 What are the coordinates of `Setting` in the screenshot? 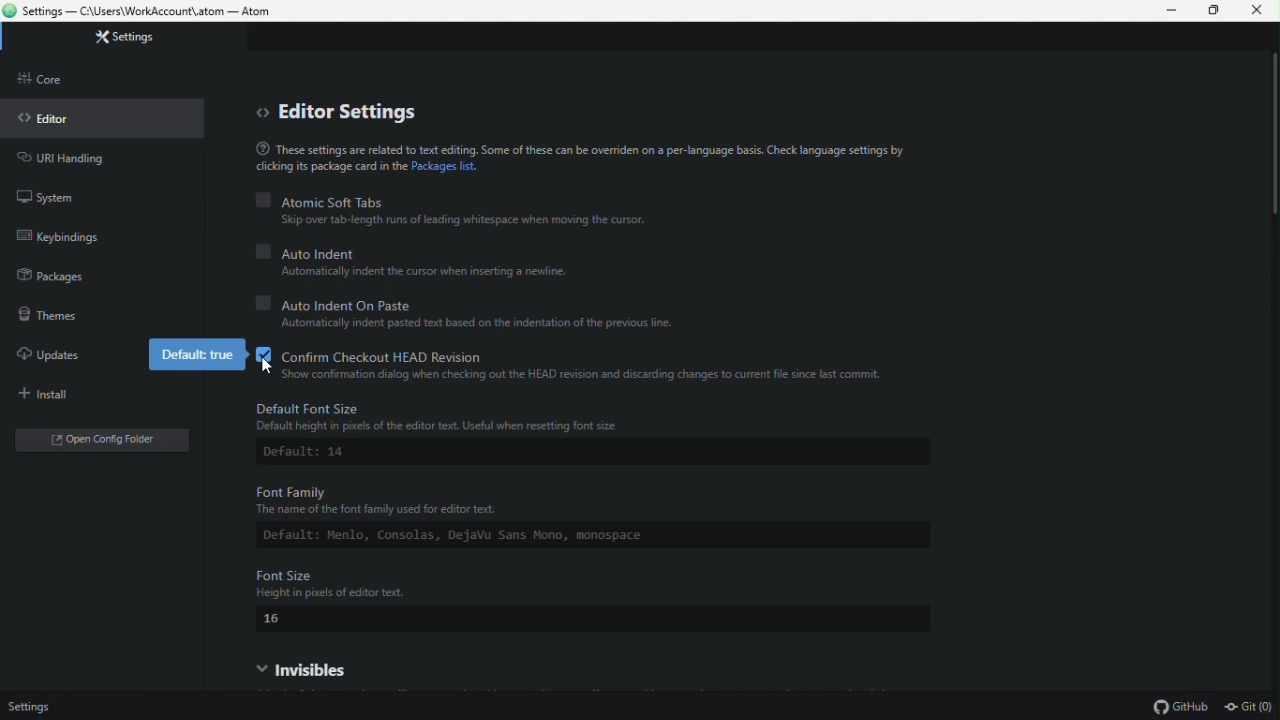 It's located at (33, 704).